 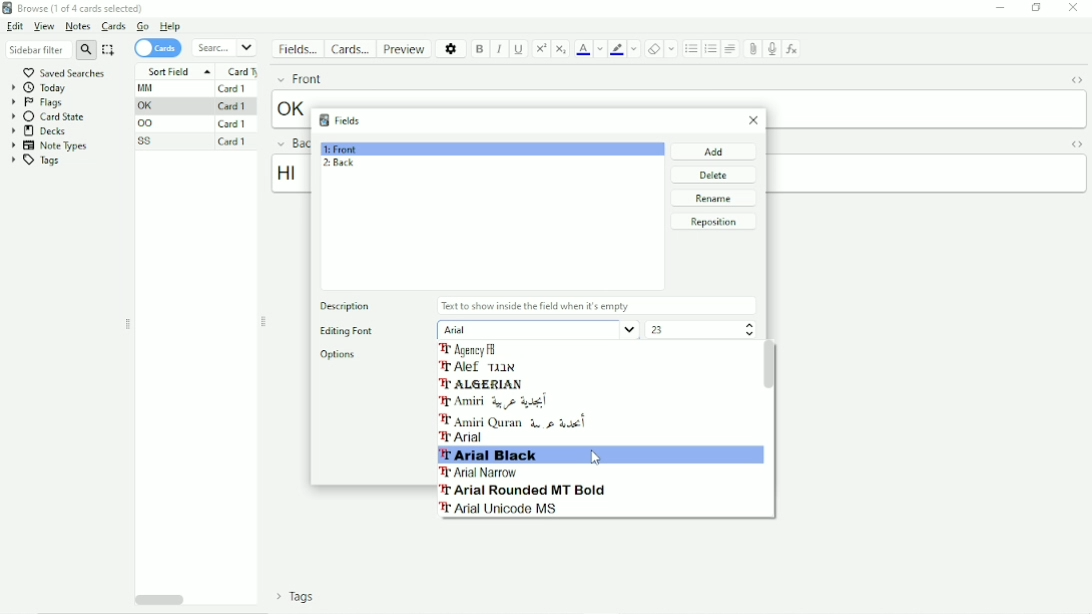 I want to click on Editing Font, so click(x=345, y=332).